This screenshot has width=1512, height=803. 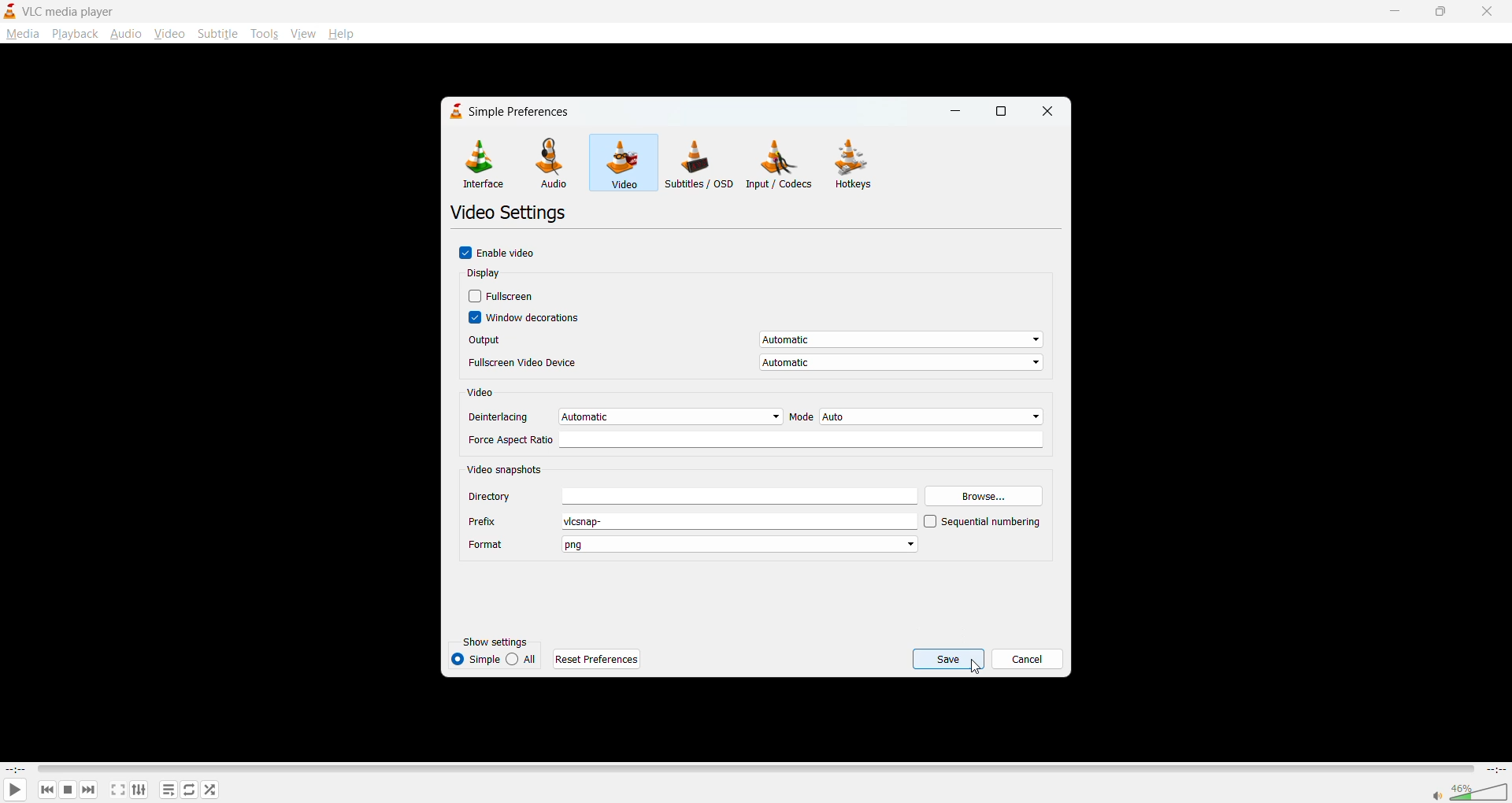 I want to click on mode, so click(x=915, y=416).